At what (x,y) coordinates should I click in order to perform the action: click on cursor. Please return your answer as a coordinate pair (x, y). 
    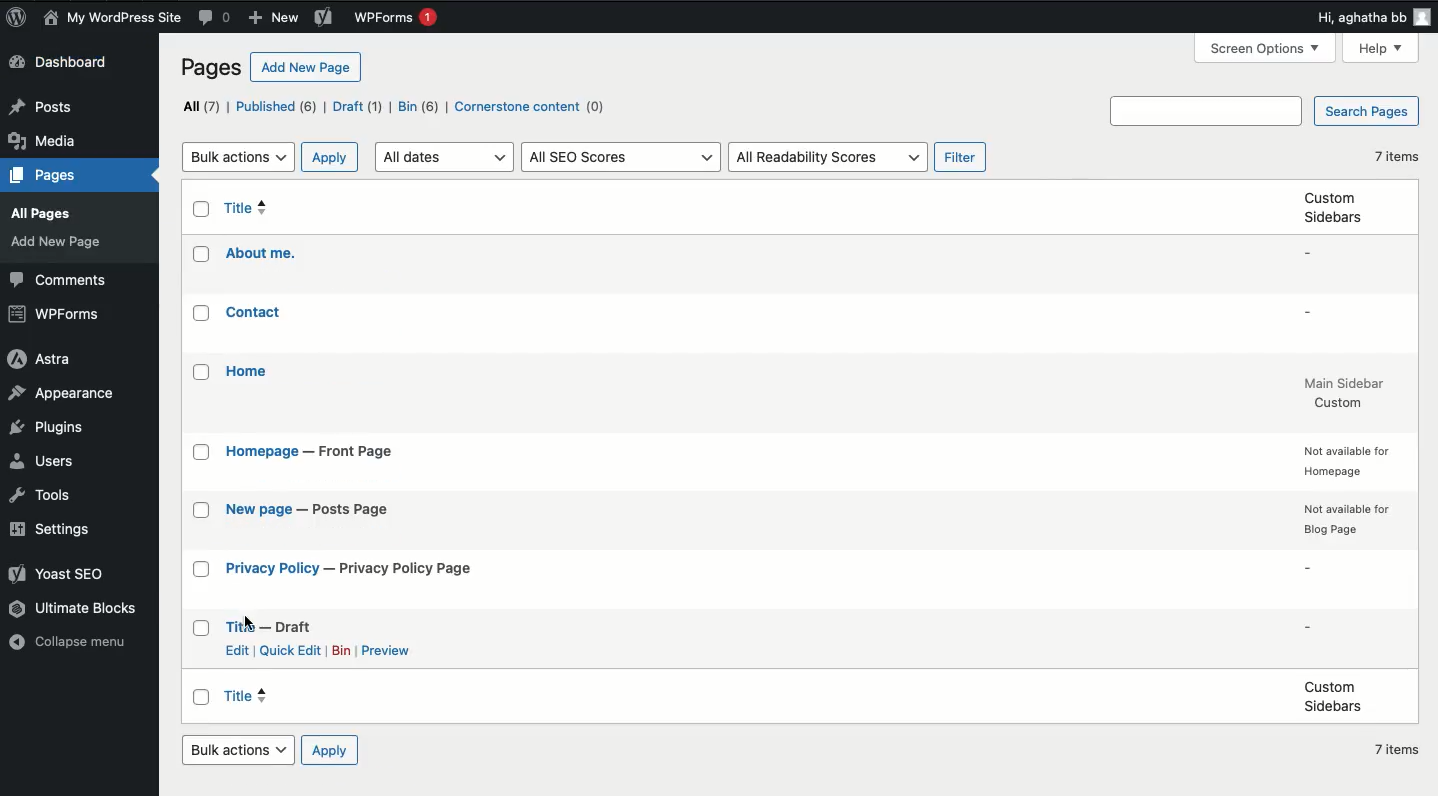
    Looking at the image, I should click on (252, 623).